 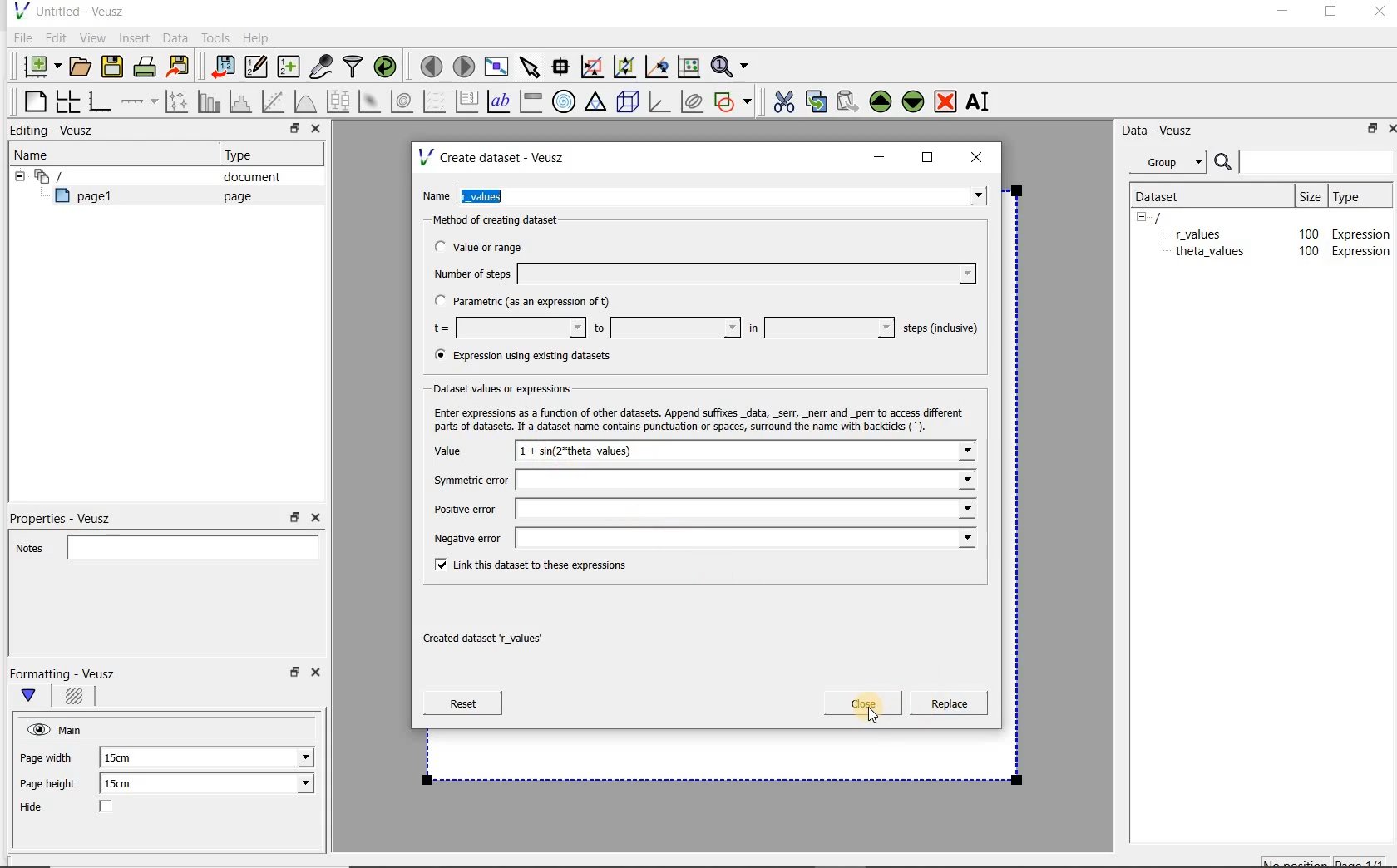 What do you see at coordinates (16, 175) in the screenshot?
I see `hide sub menu` at bounding box center [16, 175].